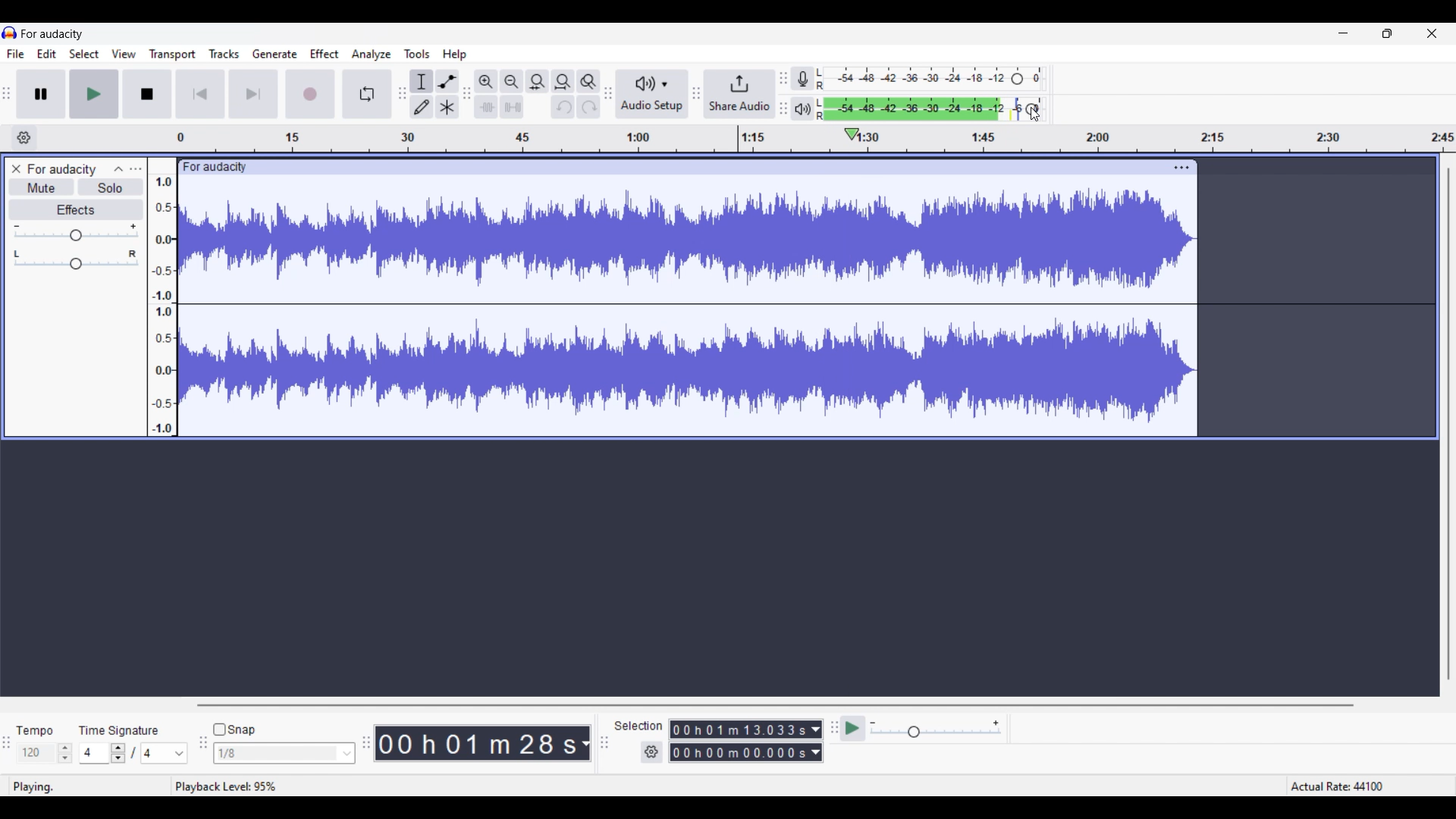  What do you see at coordinates (93, 94) in the screenshot?
I see `Play/Play once` at bounding box center [93, 94].